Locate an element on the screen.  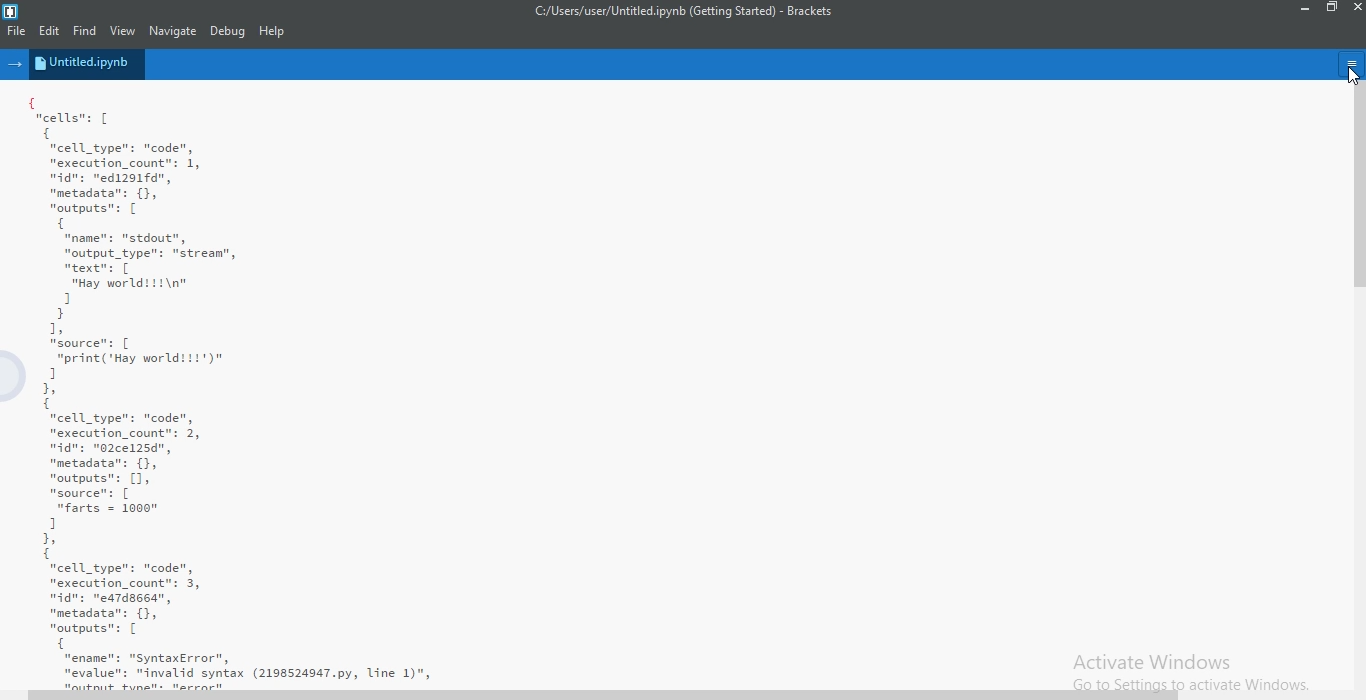
Find is located at coordinates (89, 31).